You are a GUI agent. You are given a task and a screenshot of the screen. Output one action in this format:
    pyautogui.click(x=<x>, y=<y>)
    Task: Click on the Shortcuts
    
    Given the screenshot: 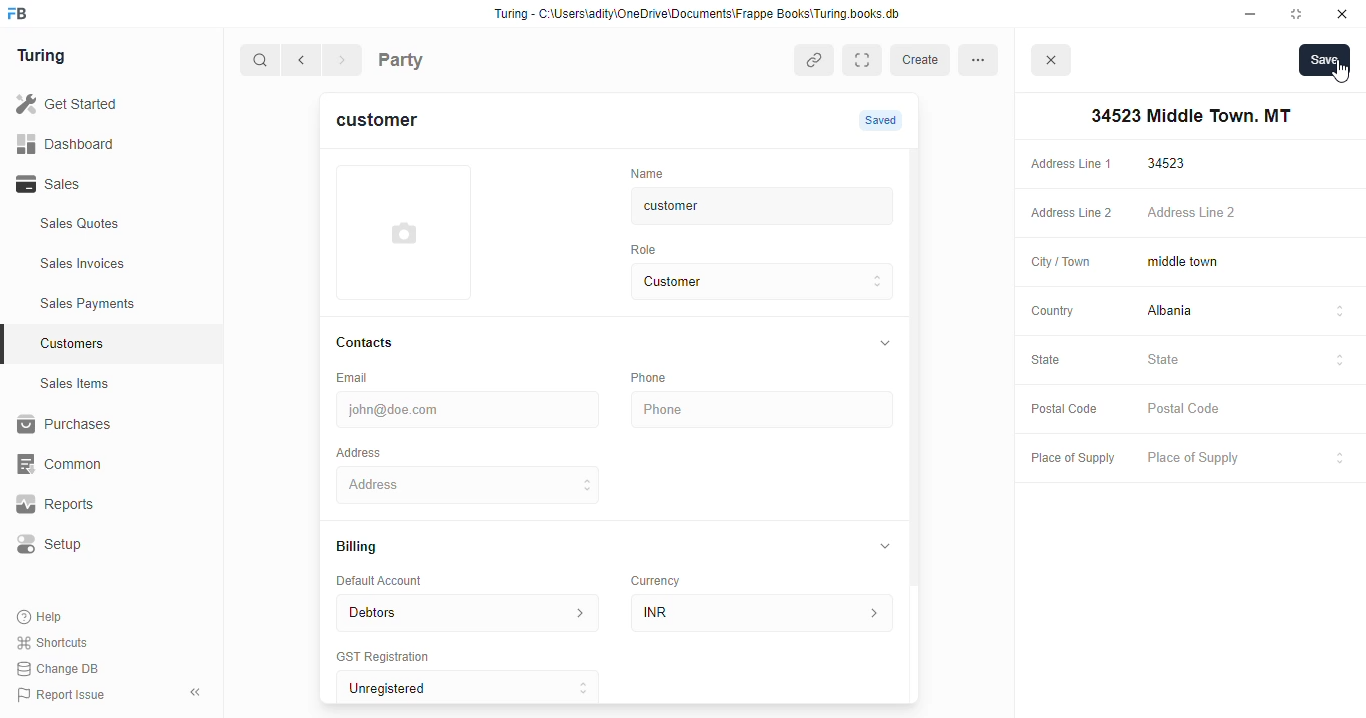 What is the action you would take?
    pyautogui.click(x=58, y=643)
    